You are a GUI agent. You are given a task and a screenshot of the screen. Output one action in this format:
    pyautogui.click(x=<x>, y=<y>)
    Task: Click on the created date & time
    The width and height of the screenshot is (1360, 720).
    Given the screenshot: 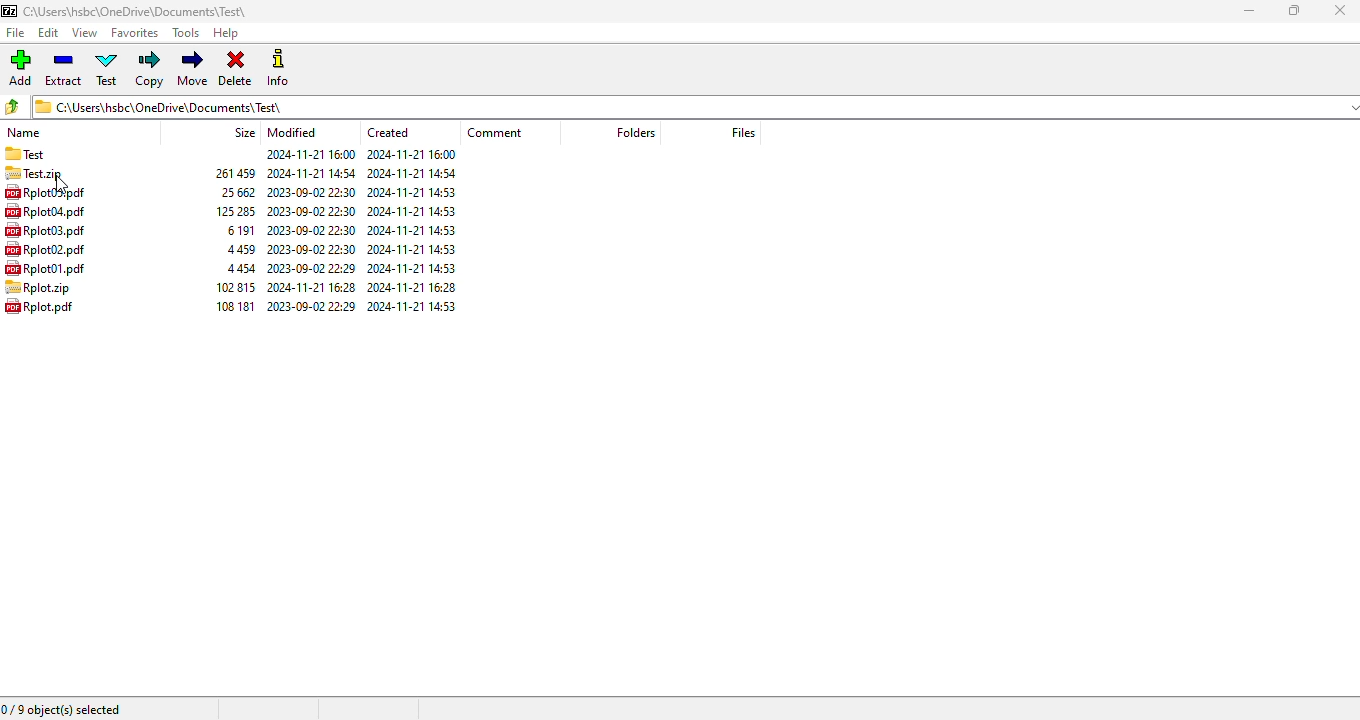 What is the action you would take?
    pyautogui.click(x=413, y=230)
    